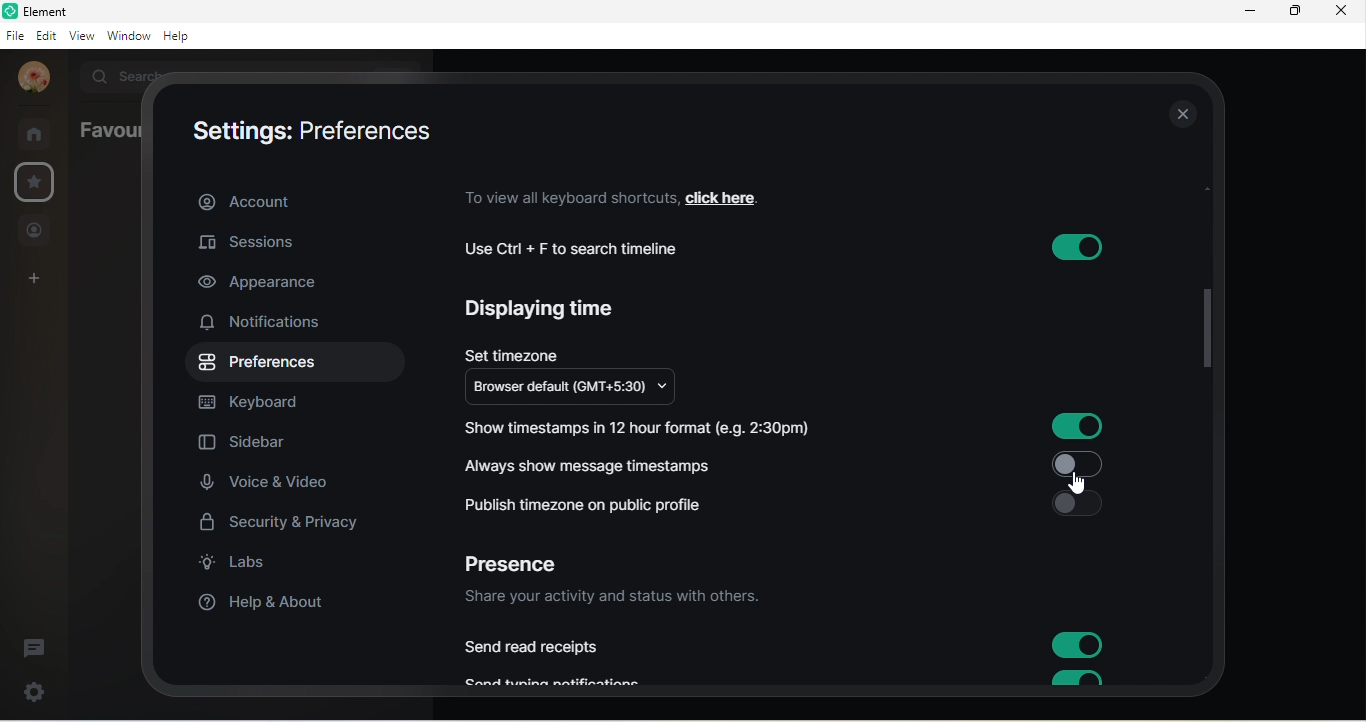 The width and height of the screenshot is (1366, 722). Describe the element at coordinates (263, 284) in the screenshot. I see `appearance` at that location.